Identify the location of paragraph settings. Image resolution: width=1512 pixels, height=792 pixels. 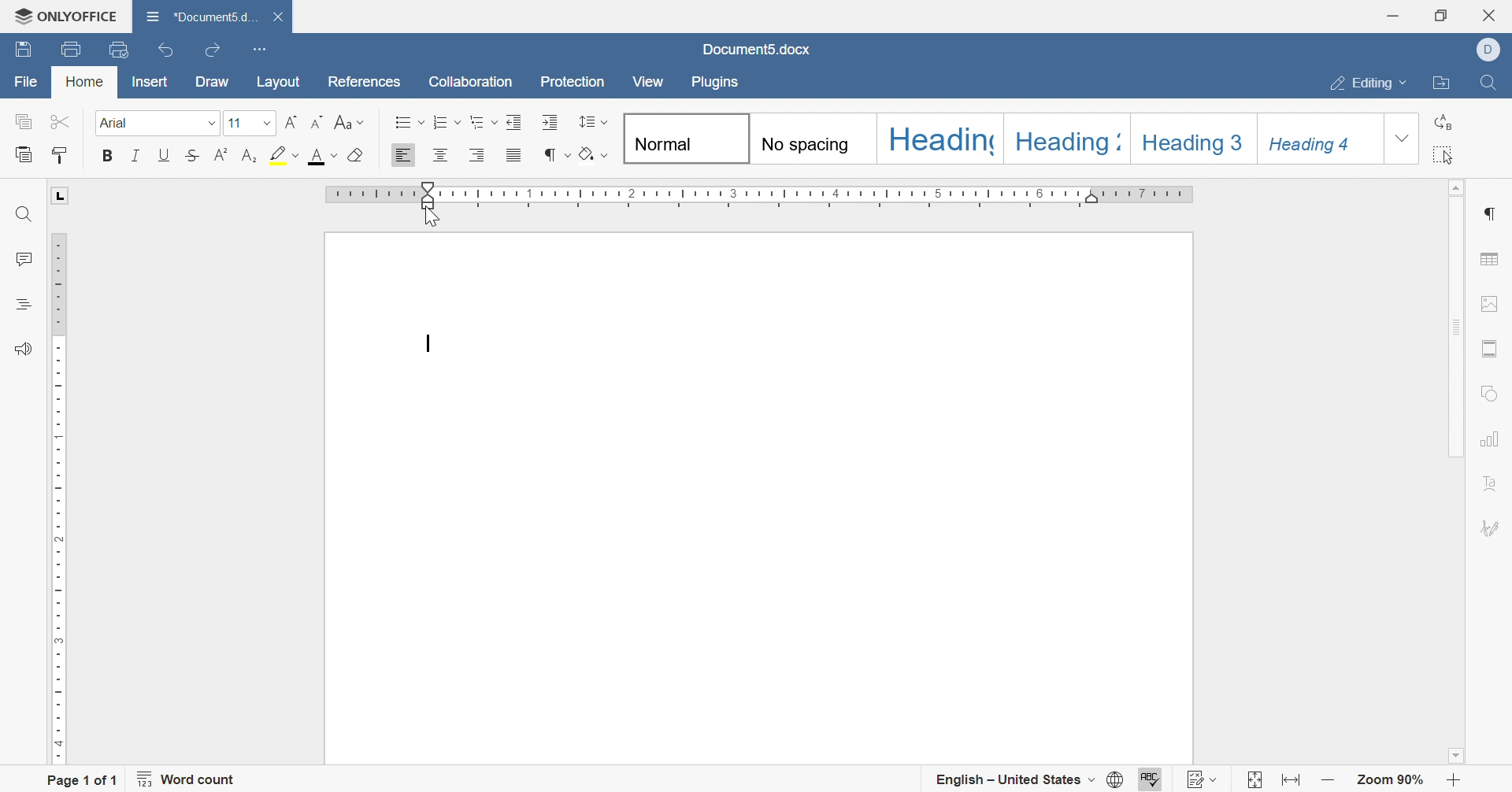
(1492, 211).